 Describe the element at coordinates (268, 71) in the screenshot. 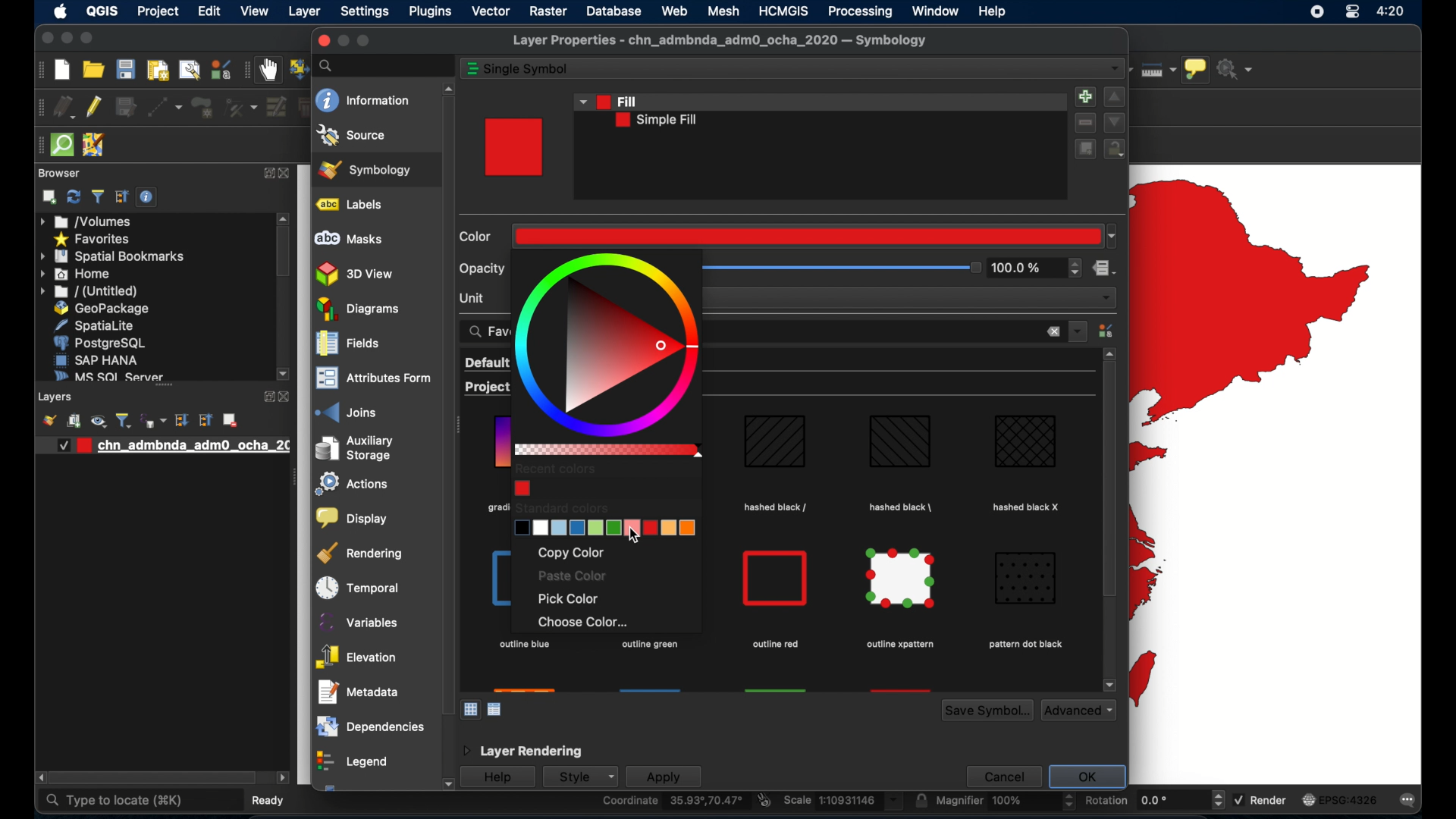

I see `pan map` at that location.